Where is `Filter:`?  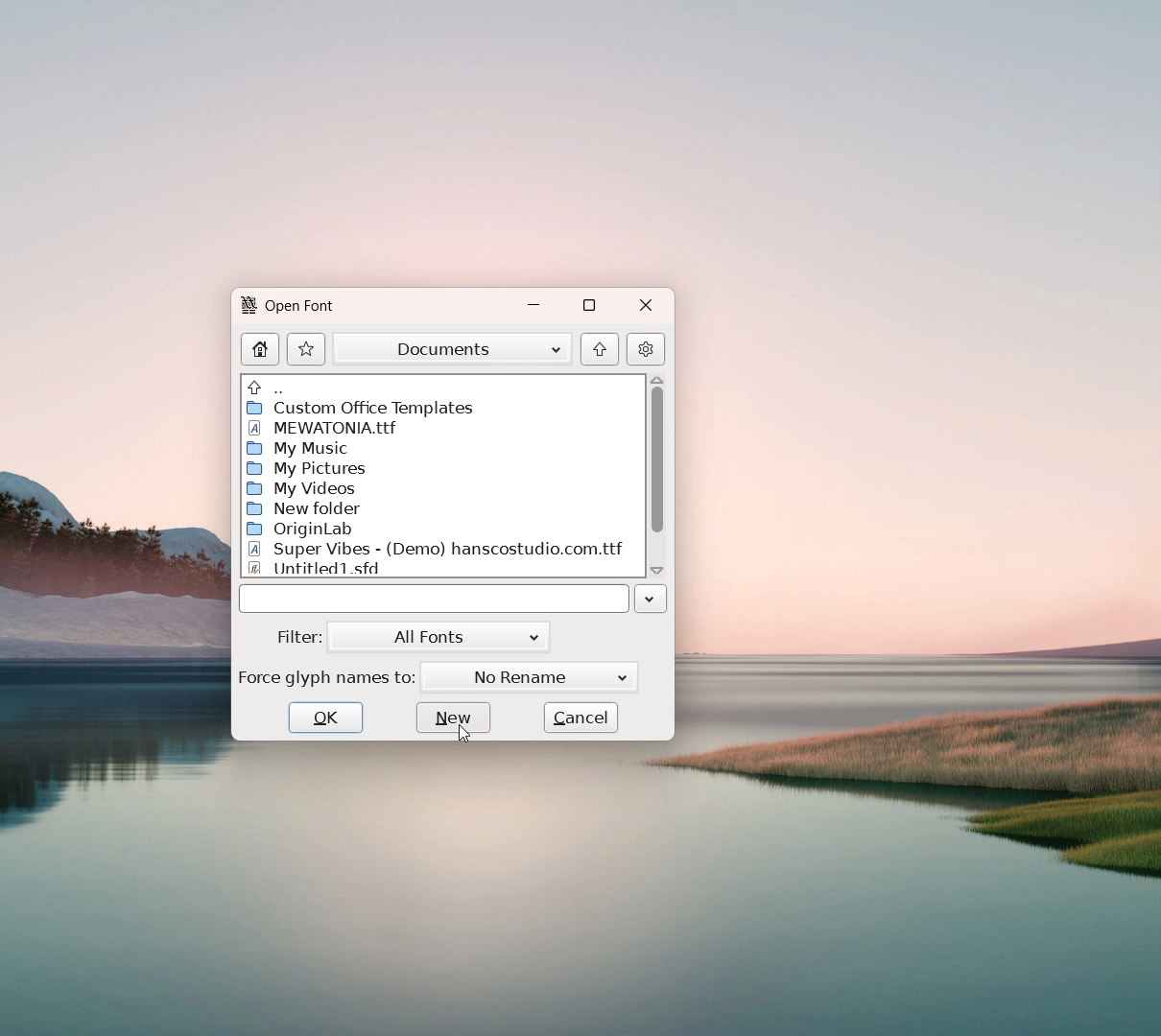
Filter: is located at coordinates (297, 636).